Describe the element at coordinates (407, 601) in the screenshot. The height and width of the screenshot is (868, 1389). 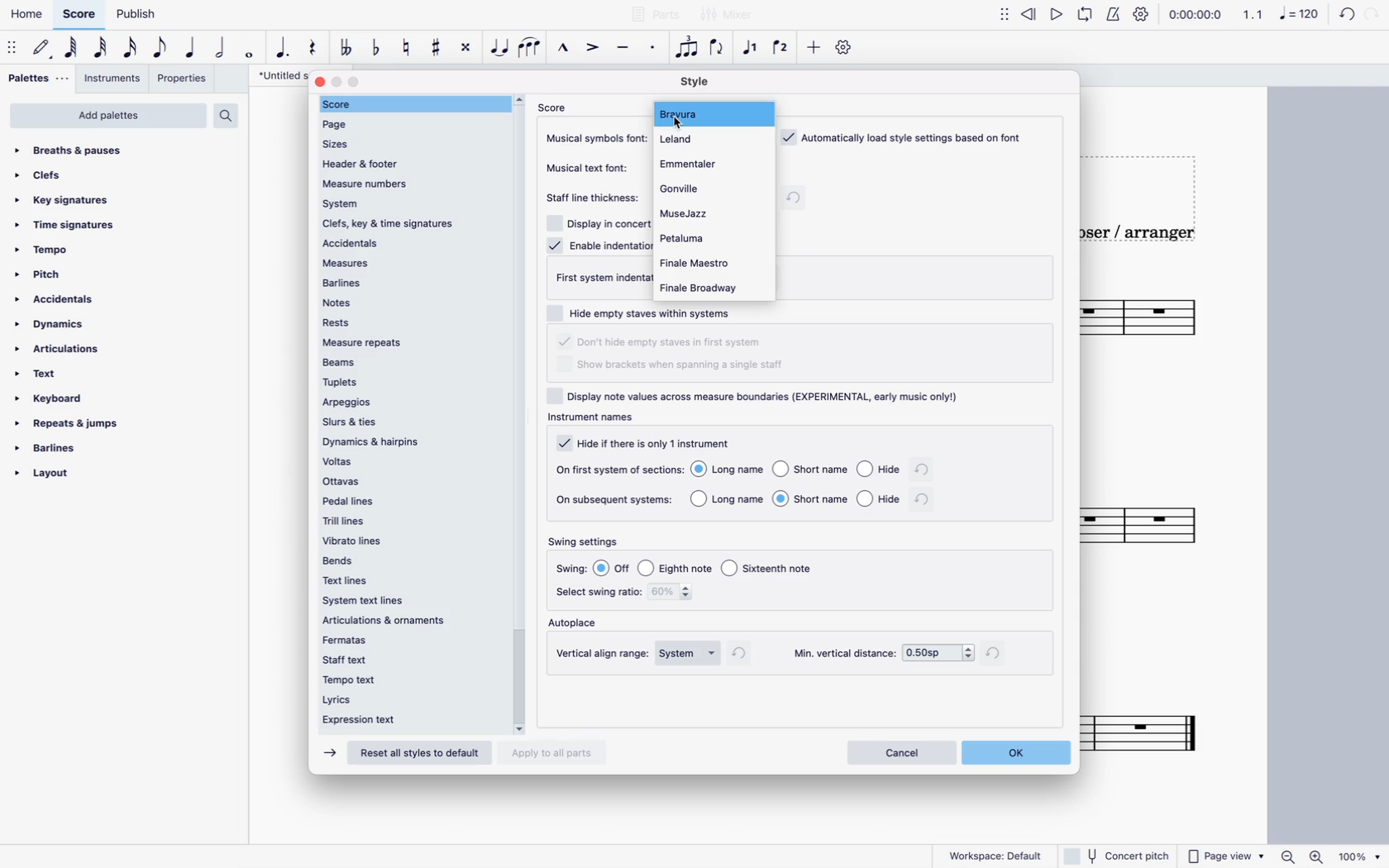
I see `system text lines` at that location.